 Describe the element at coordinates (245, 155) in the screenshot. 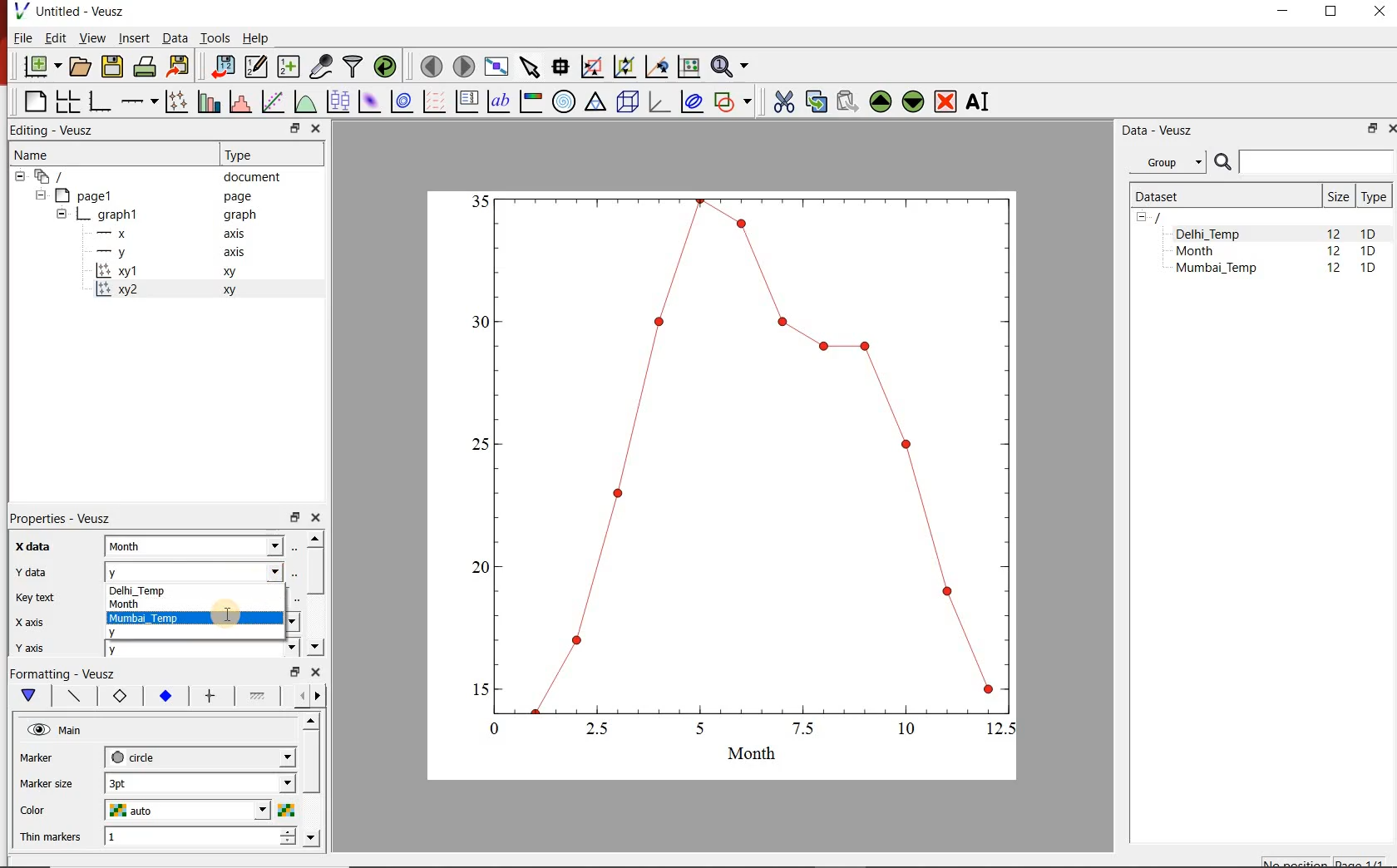

I see `Type` at that location.